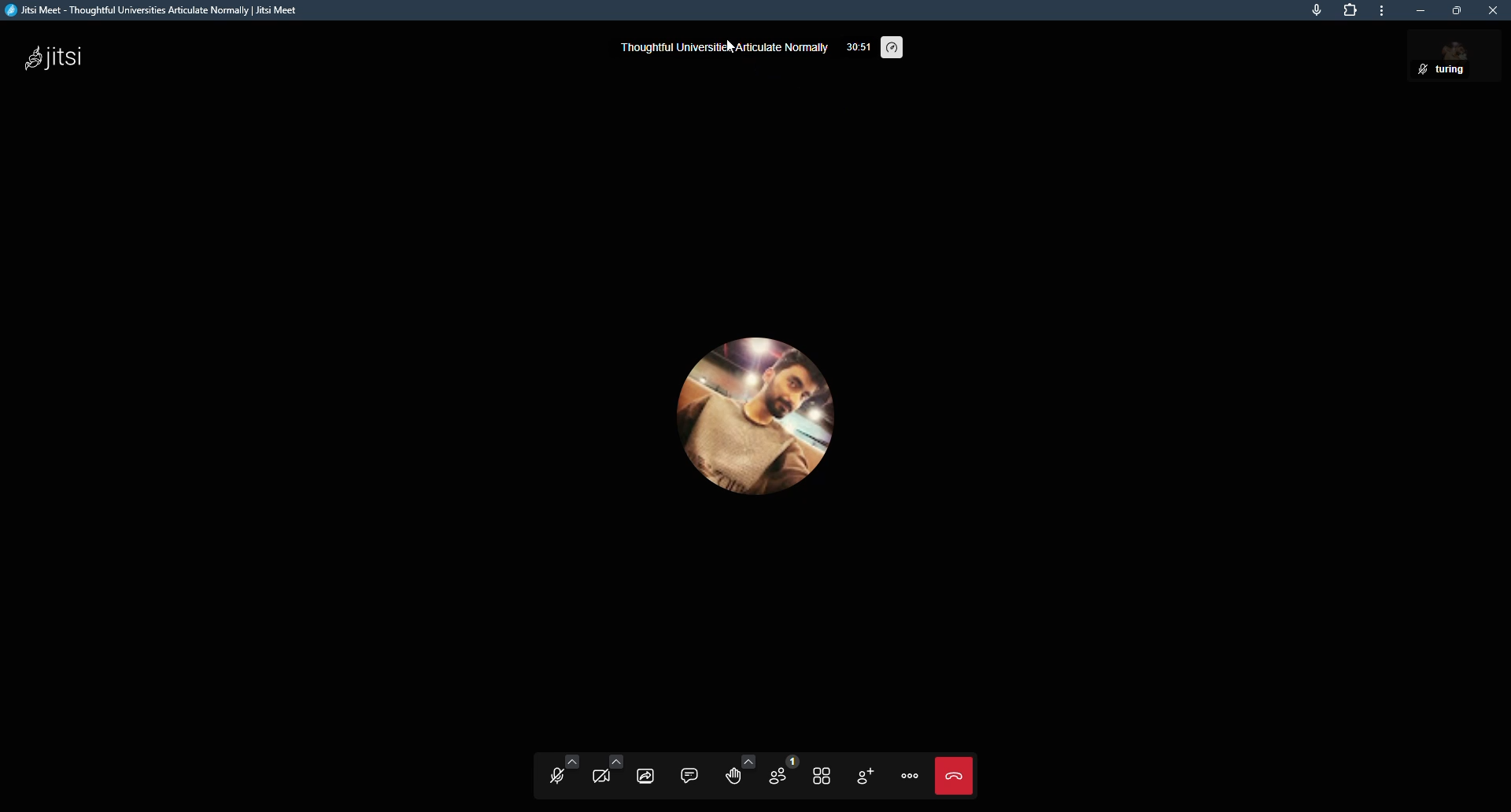 Image resolution: width=1511 pixels, height=812 pixels. What do you see at coordinates (912, 776) in the screenshot?
I see `more actions` at bounding box center [912, 776].